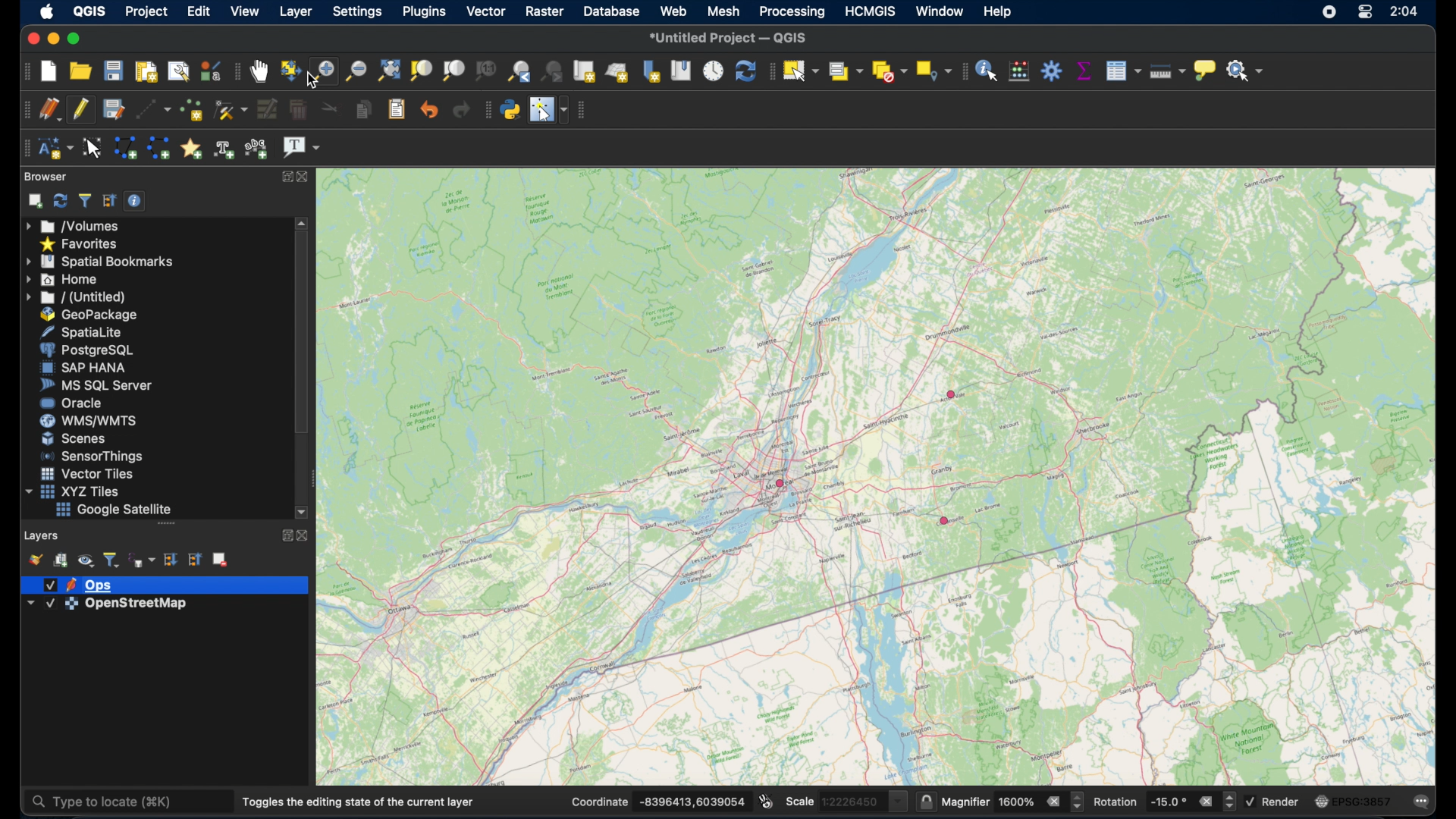  Describe the element at coordinates (77, 584) in the screenshot. I see `layer ` at that location.